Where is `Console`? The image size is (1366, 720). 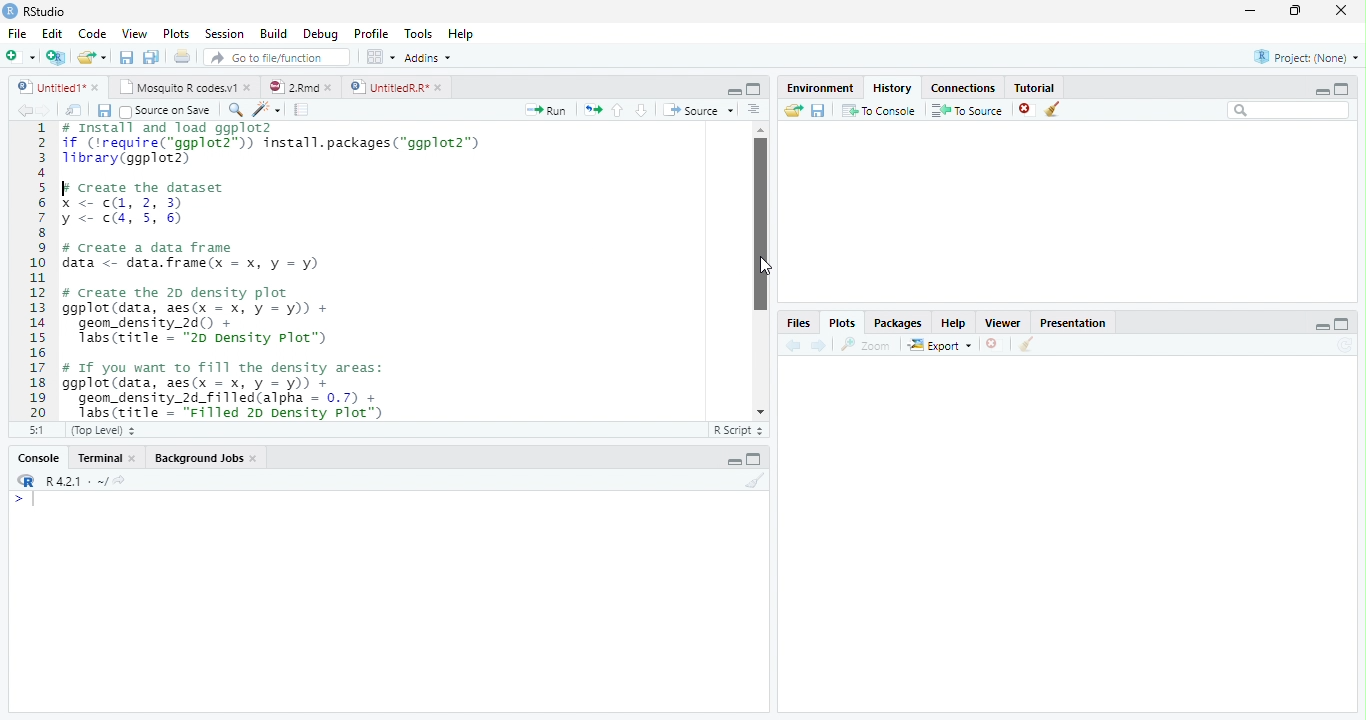 Console is located at coordinates (38, 459).